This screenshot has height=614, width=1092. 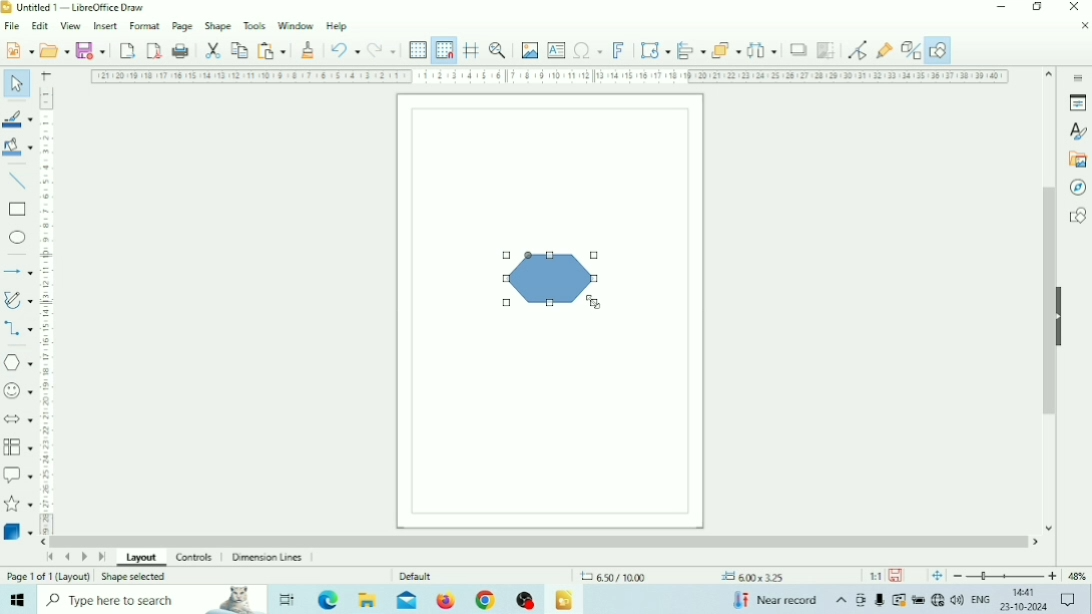 I want to click on Export directly as PDF, so click(x=155, y=49).